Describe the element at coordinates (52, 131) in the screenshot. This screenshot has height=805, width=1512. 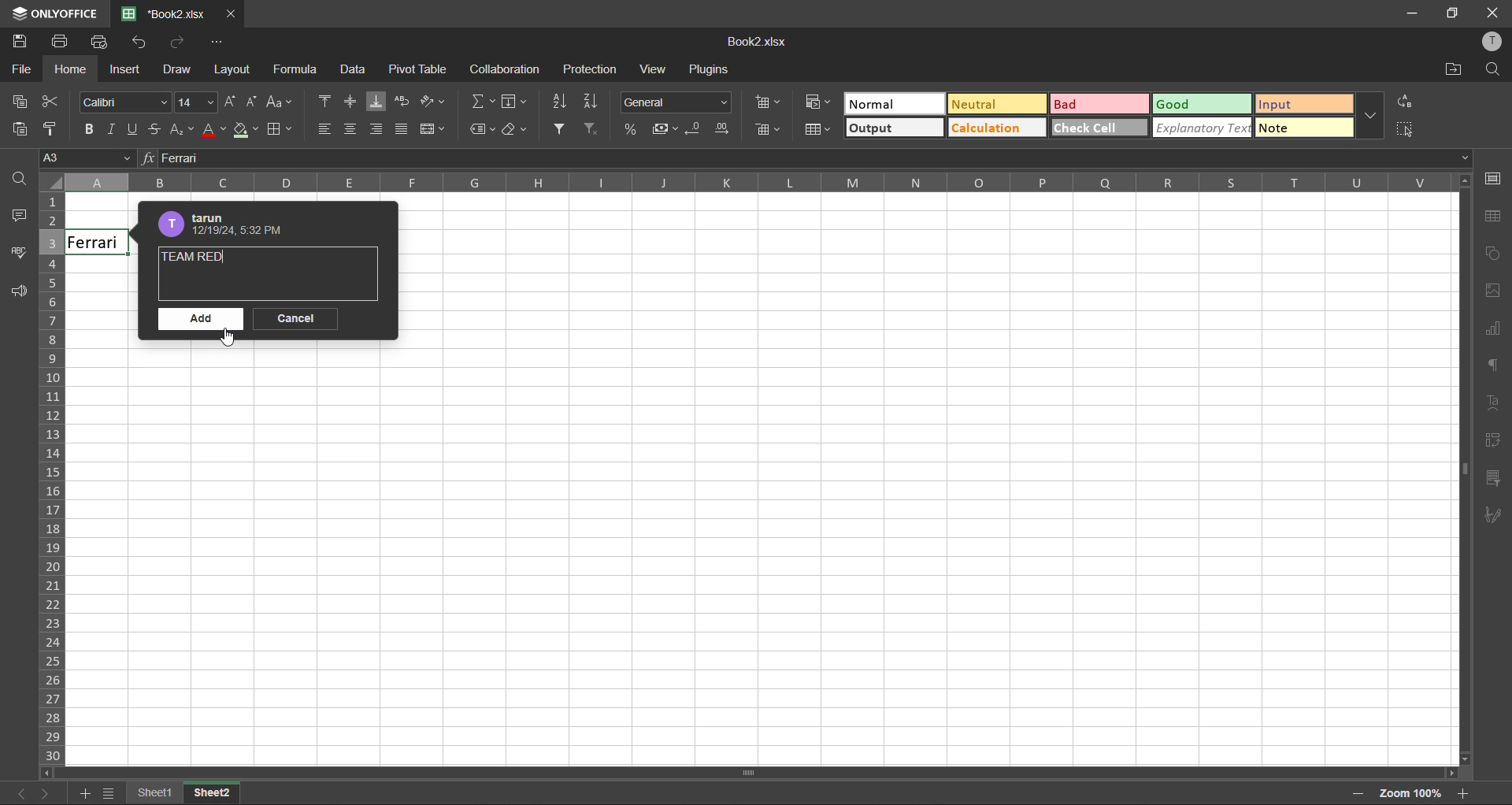
I see `copy style` at that location.